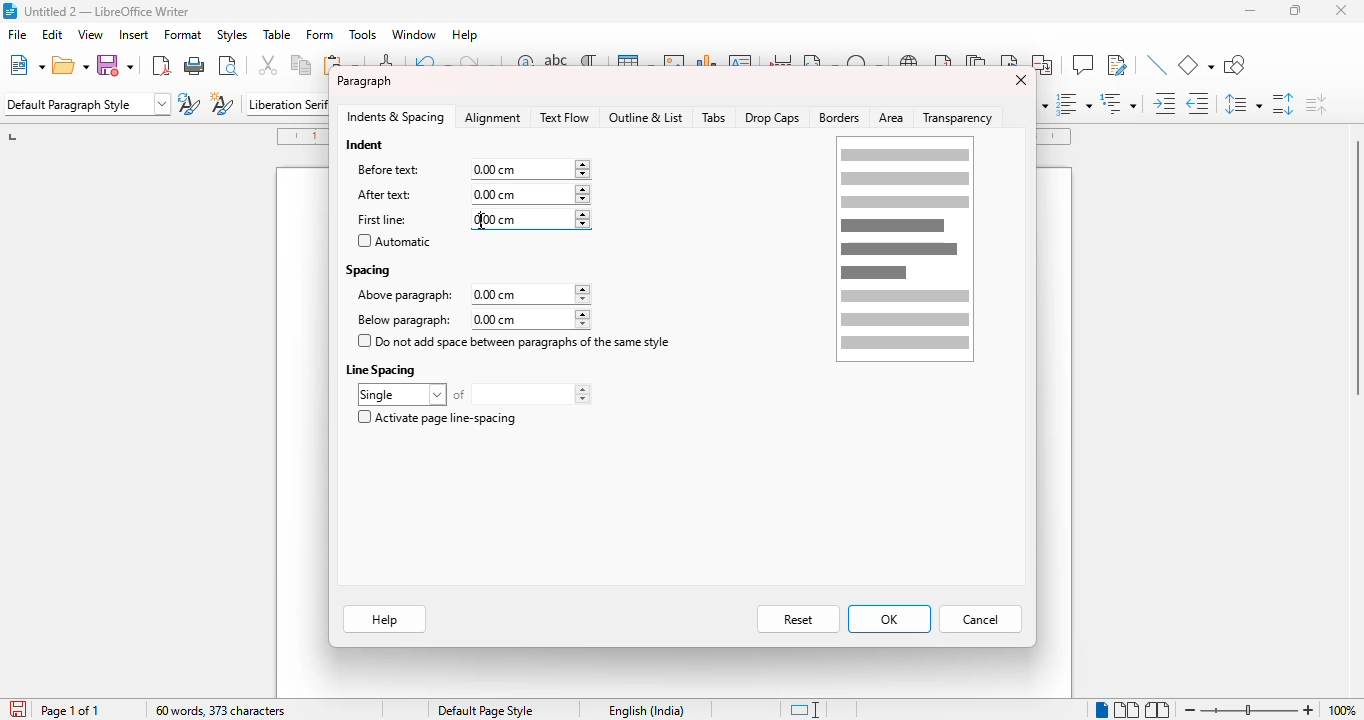 This screenshot has width=1364, height=720. Describe the element at coordinates (472, 295) in the screenshot. I see `above paragraph: 0.00 cm` at that location.